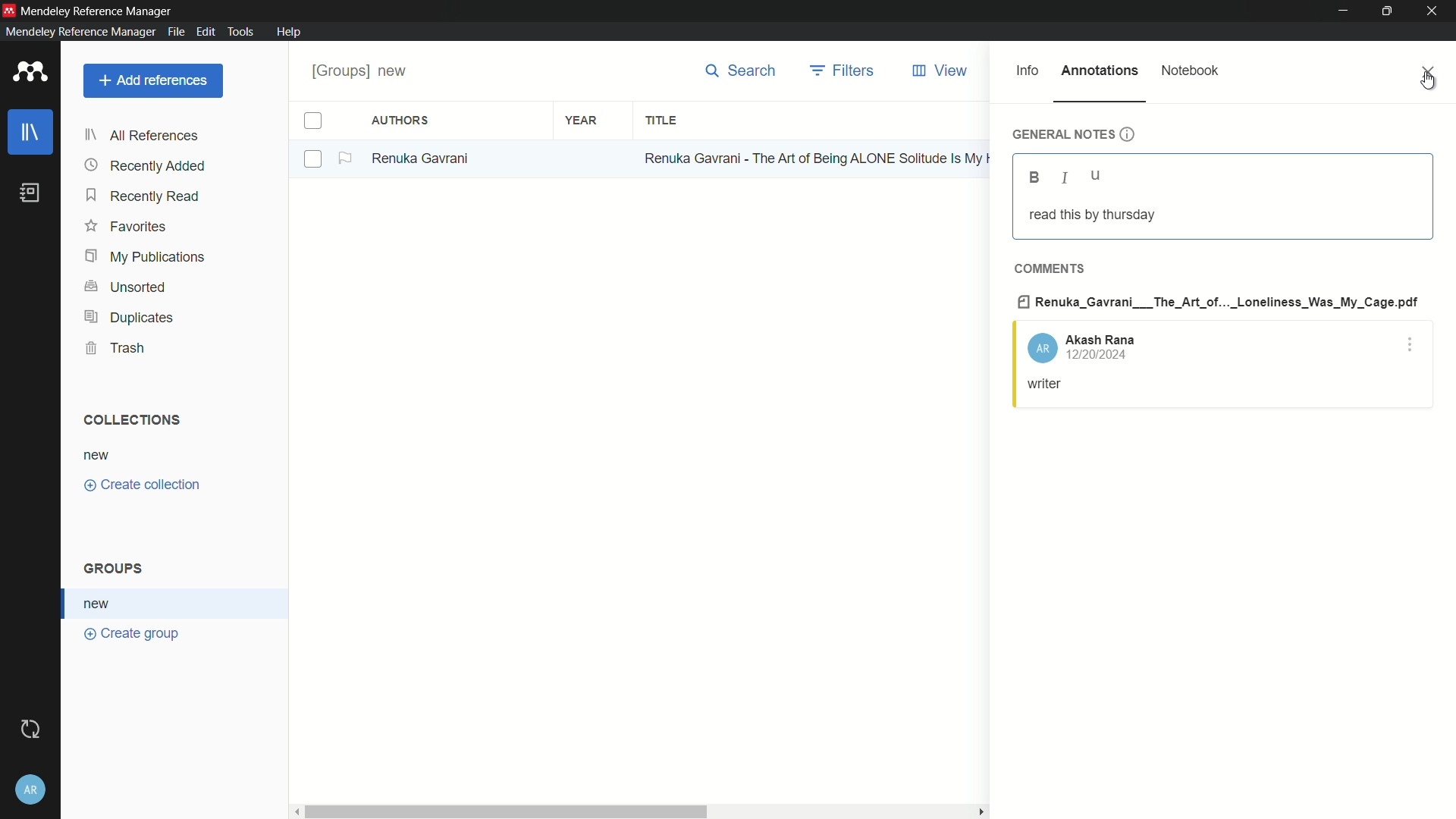  I want to click on general notes, so click(1073, 134).